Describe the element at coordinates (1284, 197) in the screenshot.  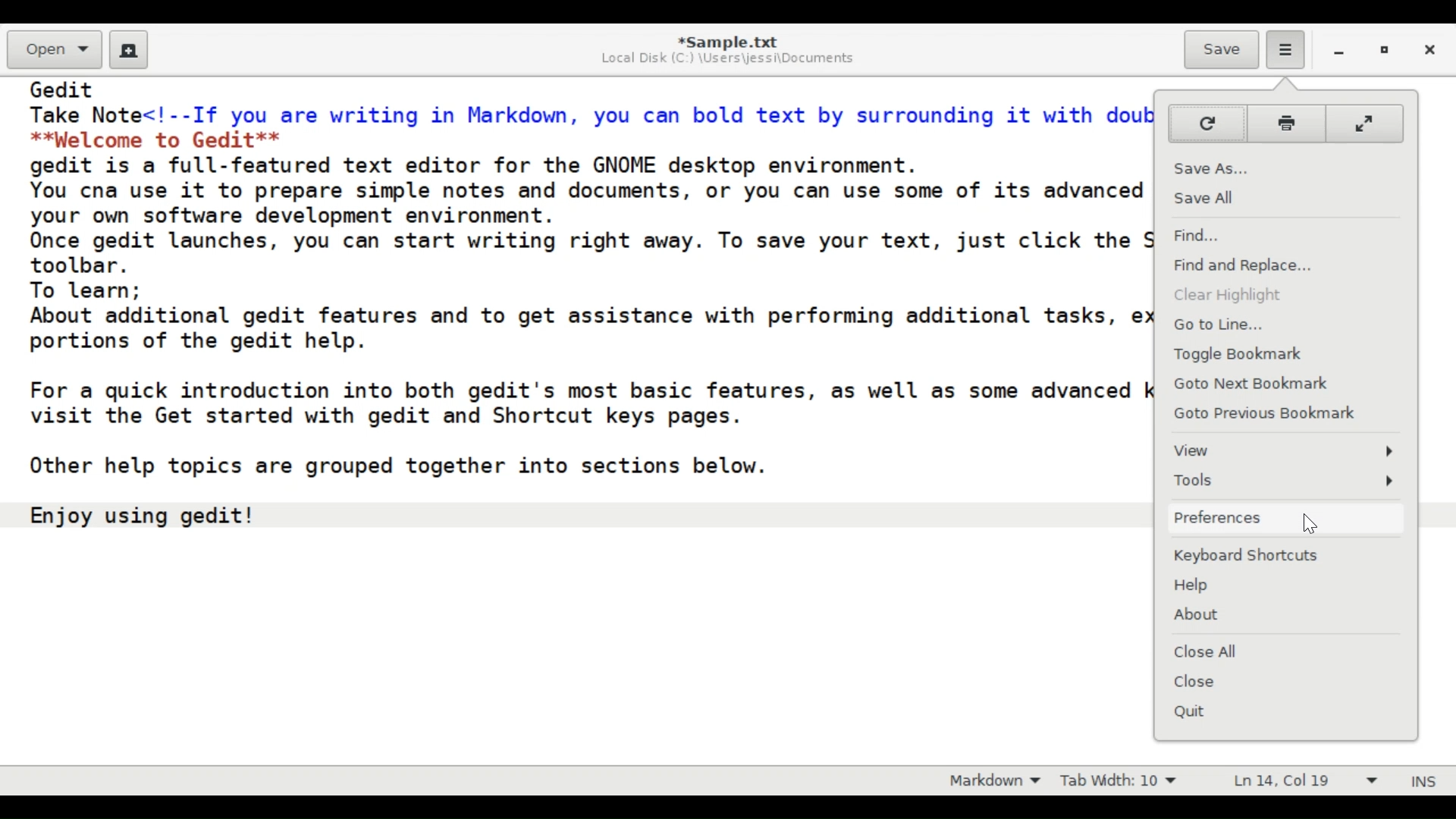
I see `Save All` at that location.